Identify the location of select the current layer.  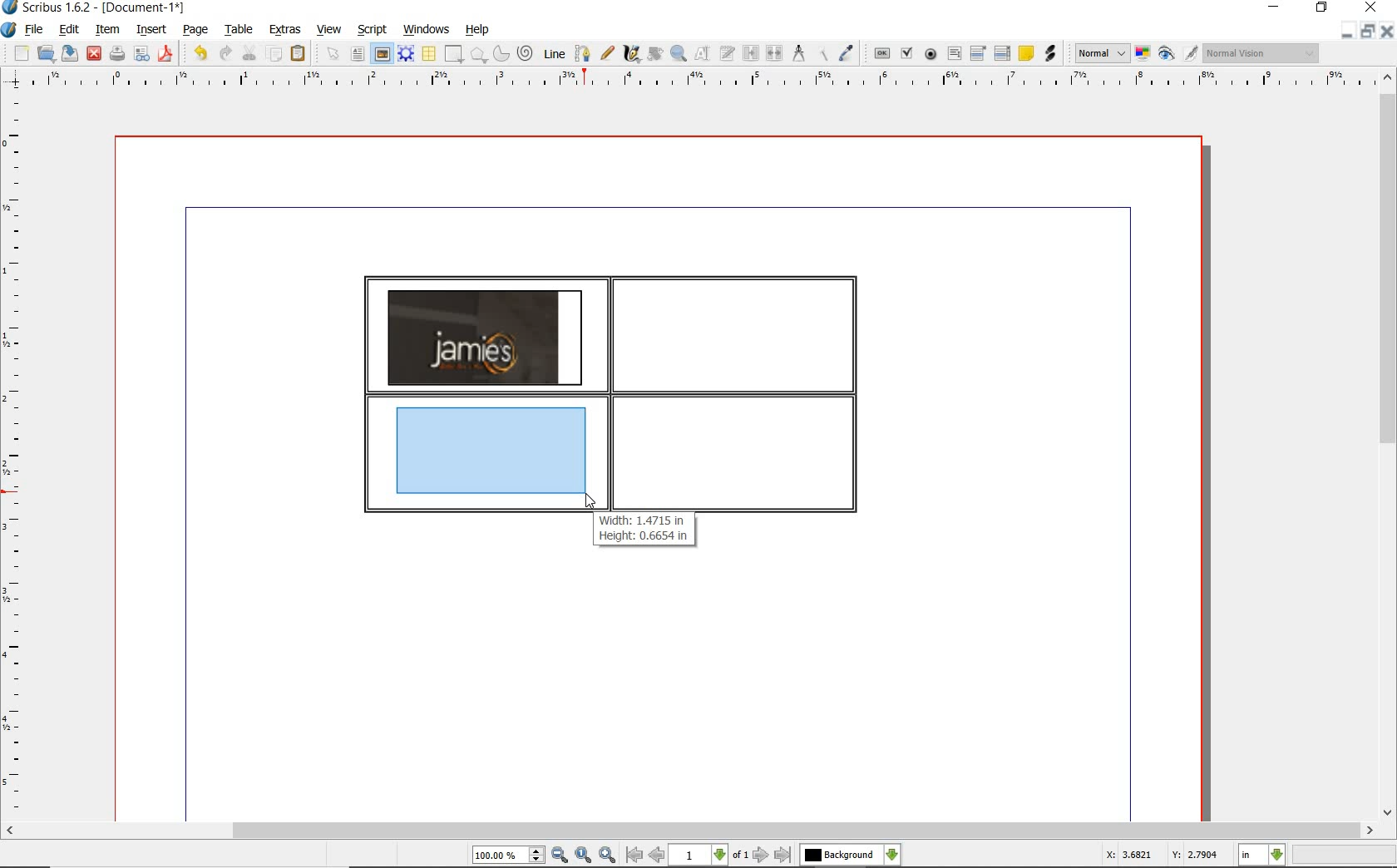
(850, 855).